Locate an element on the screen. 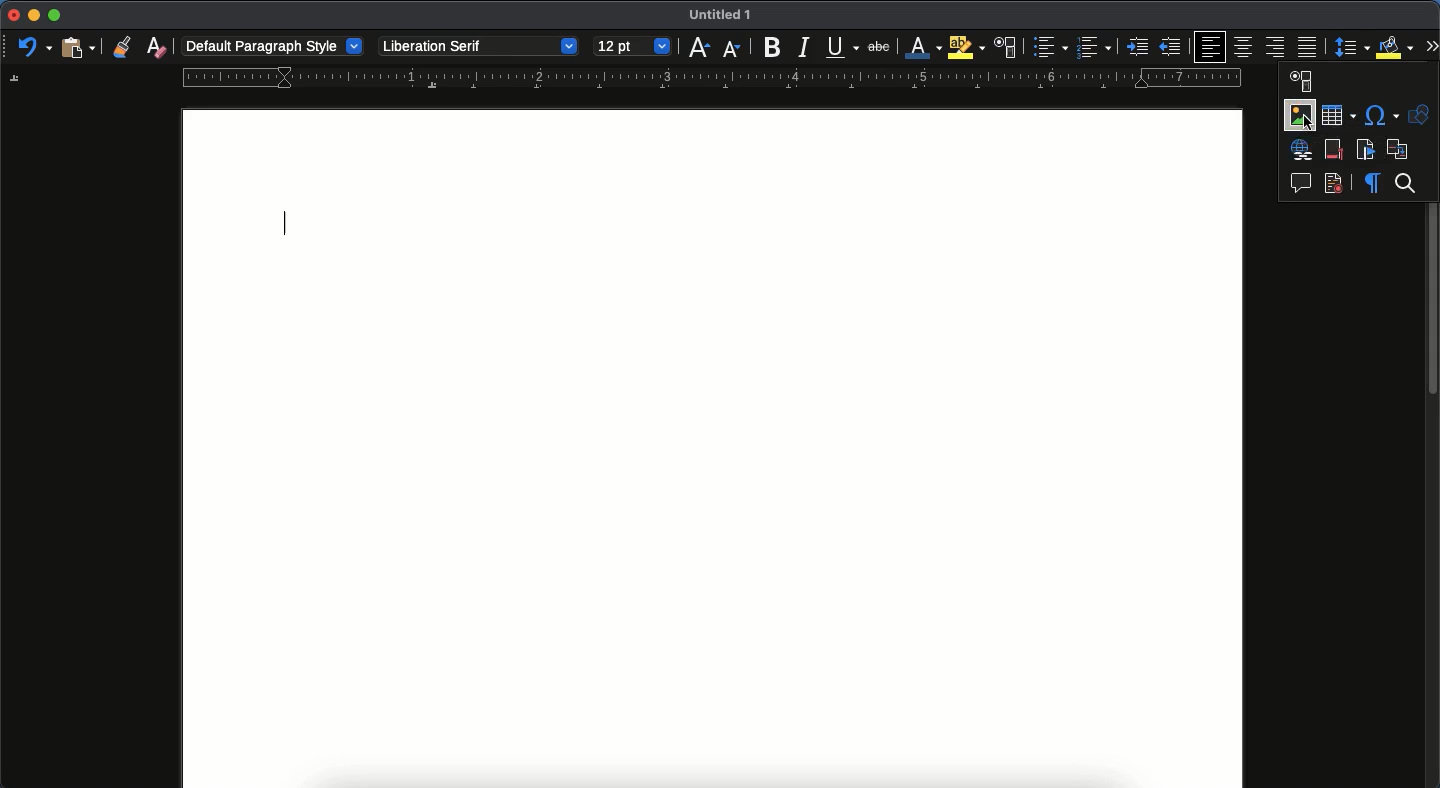  typing cursor is located at coordinates (277, 221).